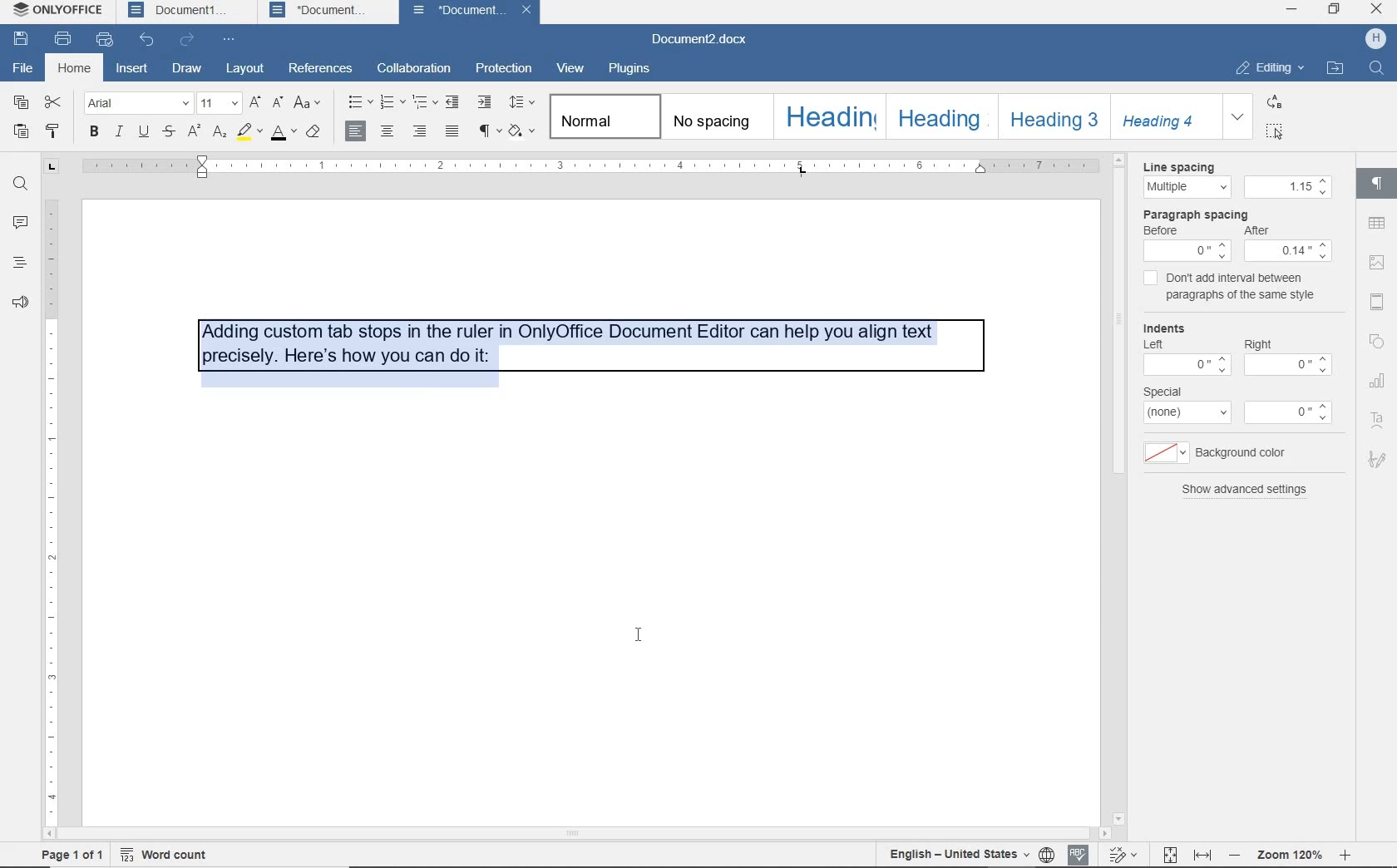 The width and height of the screenshot is (1397, 868). What do you see at coordinates (1081, 855) in the screenshot?
I see `spelling check` at bounding box center [1081, 855].